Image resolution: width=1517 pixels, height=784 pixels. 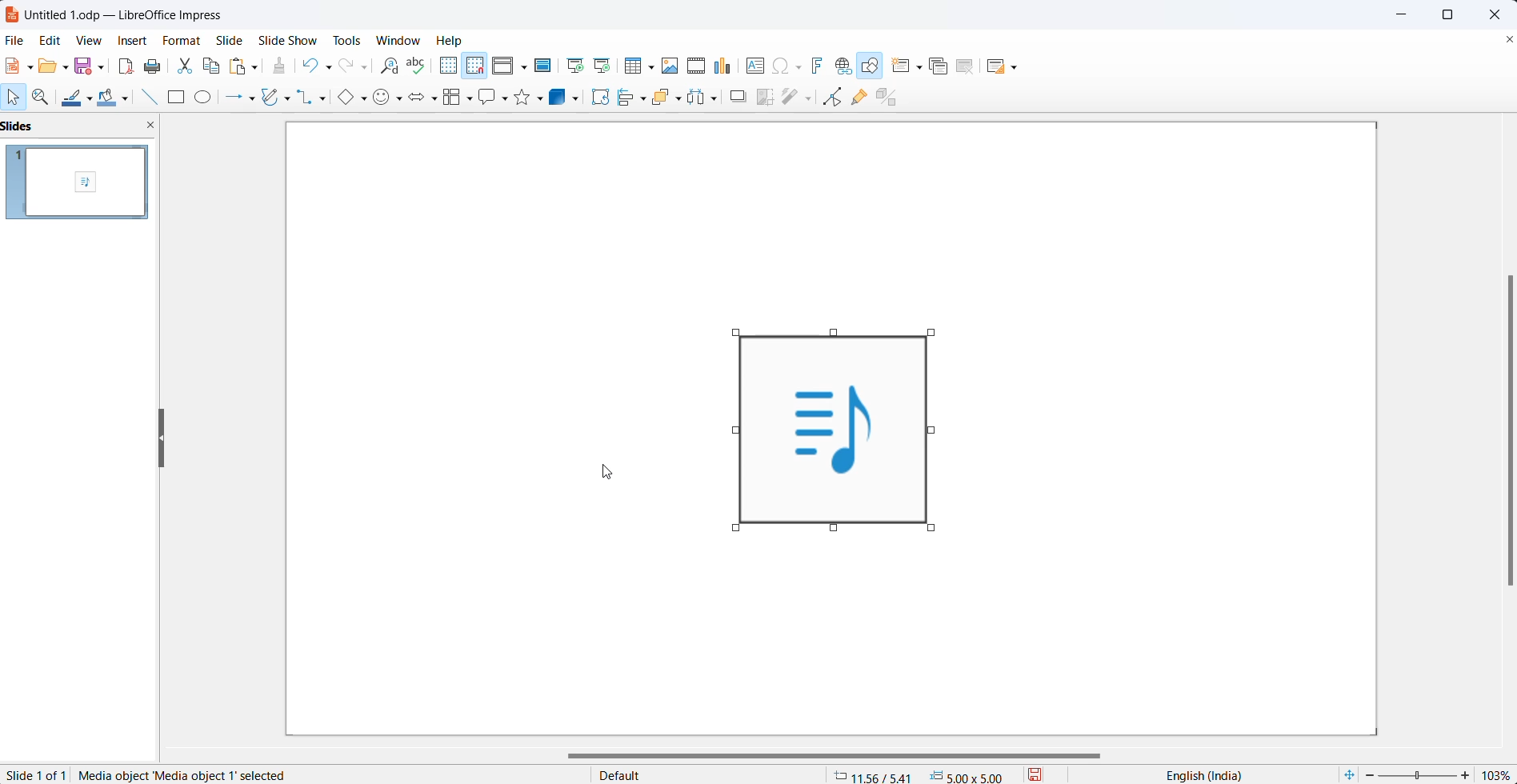 I want to click on cursor, so click(x=606, y=472).